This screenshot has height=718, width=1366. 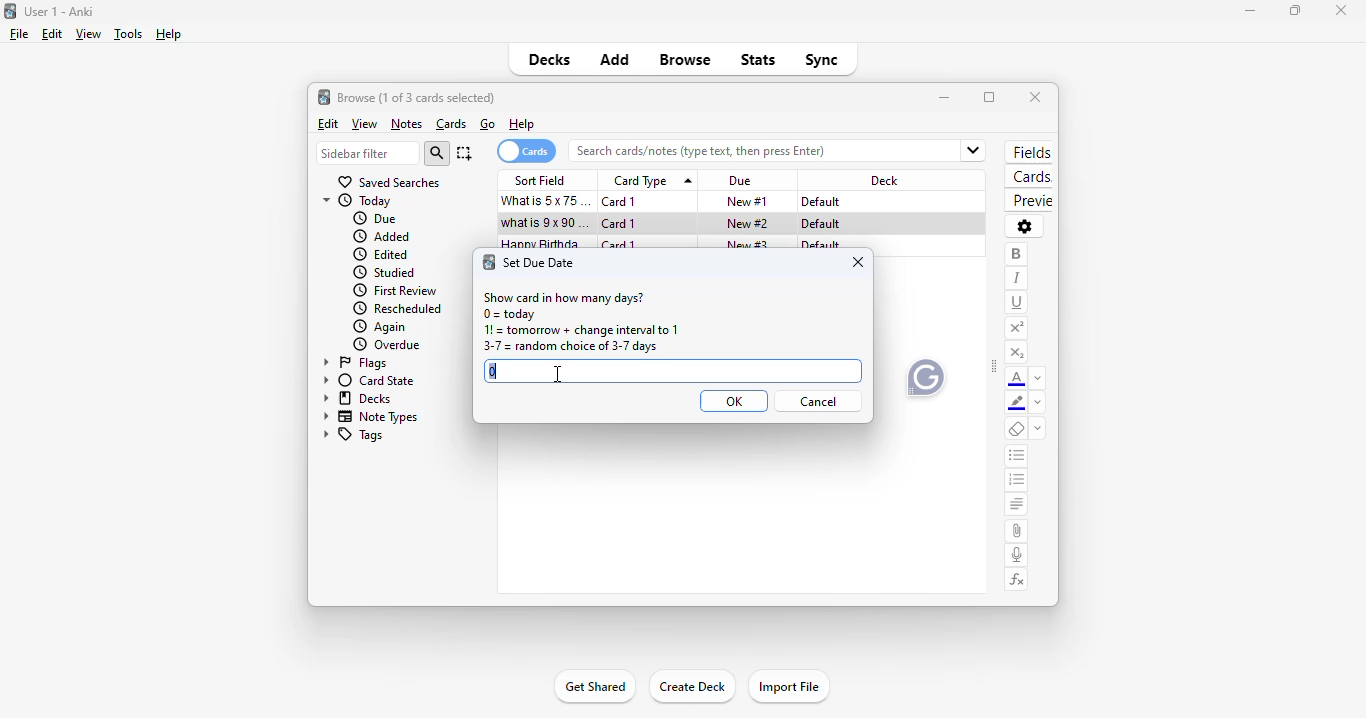 I want to click on attach pictures/audio/video, so click(x=1017, y=531).